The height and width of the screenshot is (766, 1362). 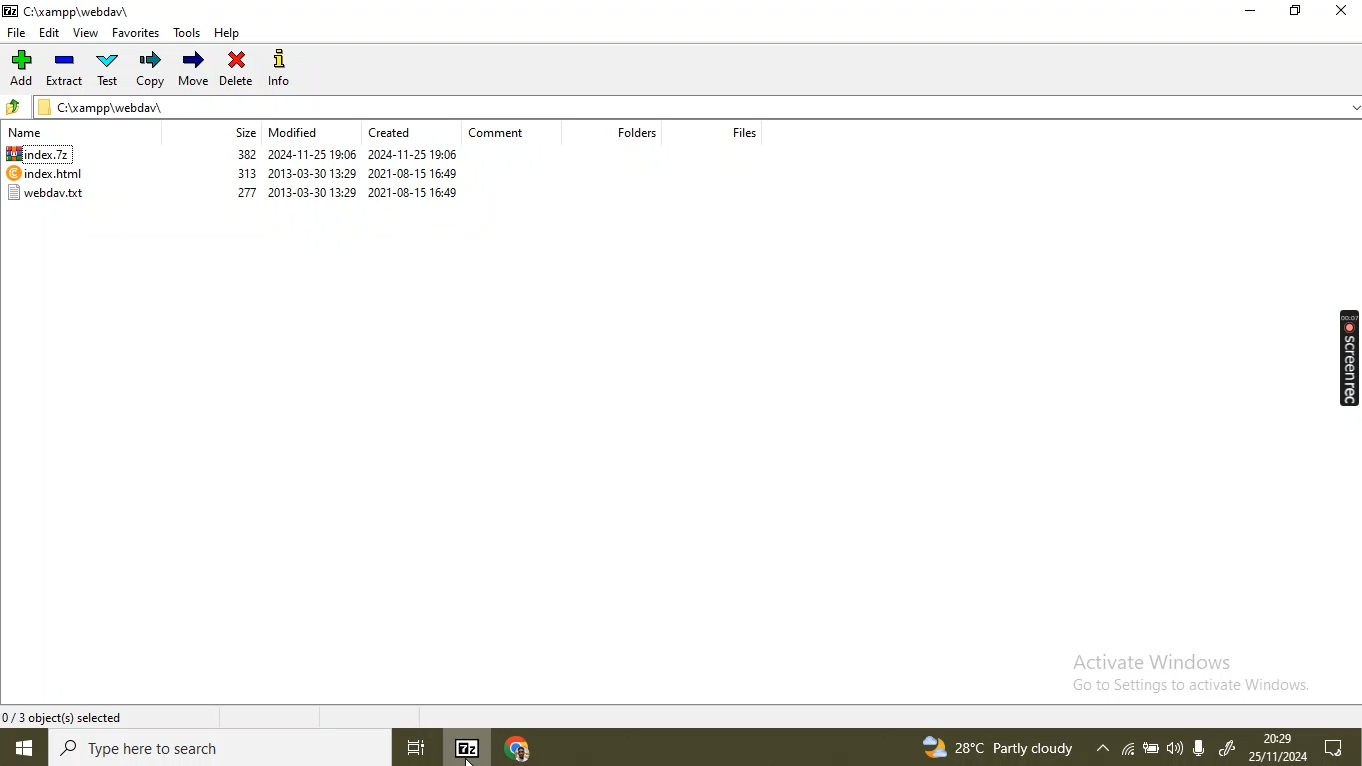 What do you see at coordinates (65, 69) in the screenshot?
I see `Extract` at bounding box center [65, 69].